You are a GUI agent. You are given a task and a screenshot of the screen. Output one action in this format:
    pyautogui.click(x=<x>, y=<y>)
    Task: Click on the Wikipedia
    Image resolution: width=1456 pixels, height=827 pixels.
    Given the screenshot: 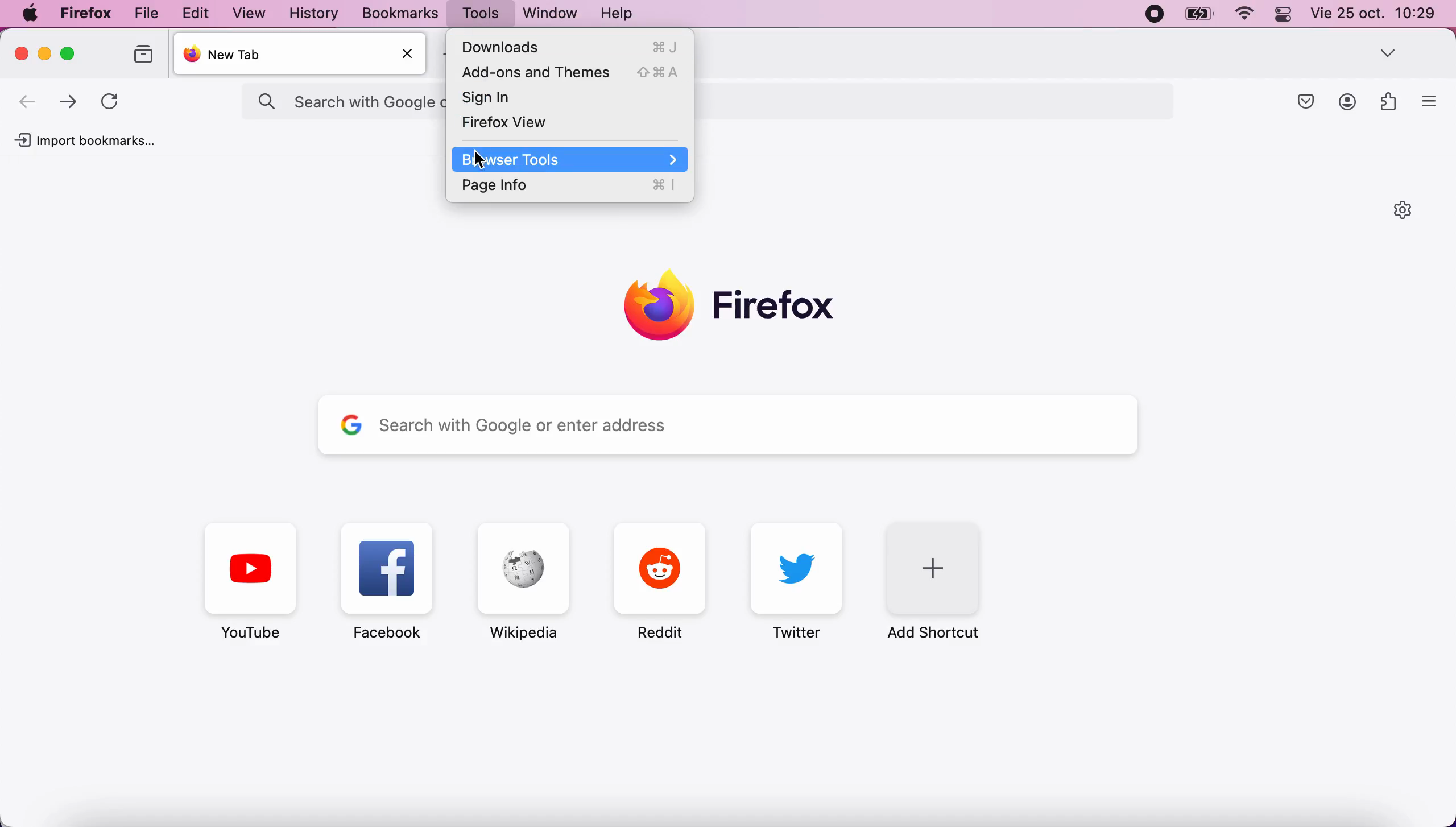 What is the action you would take?
    pyautogui.click(x=523, y=581)
    